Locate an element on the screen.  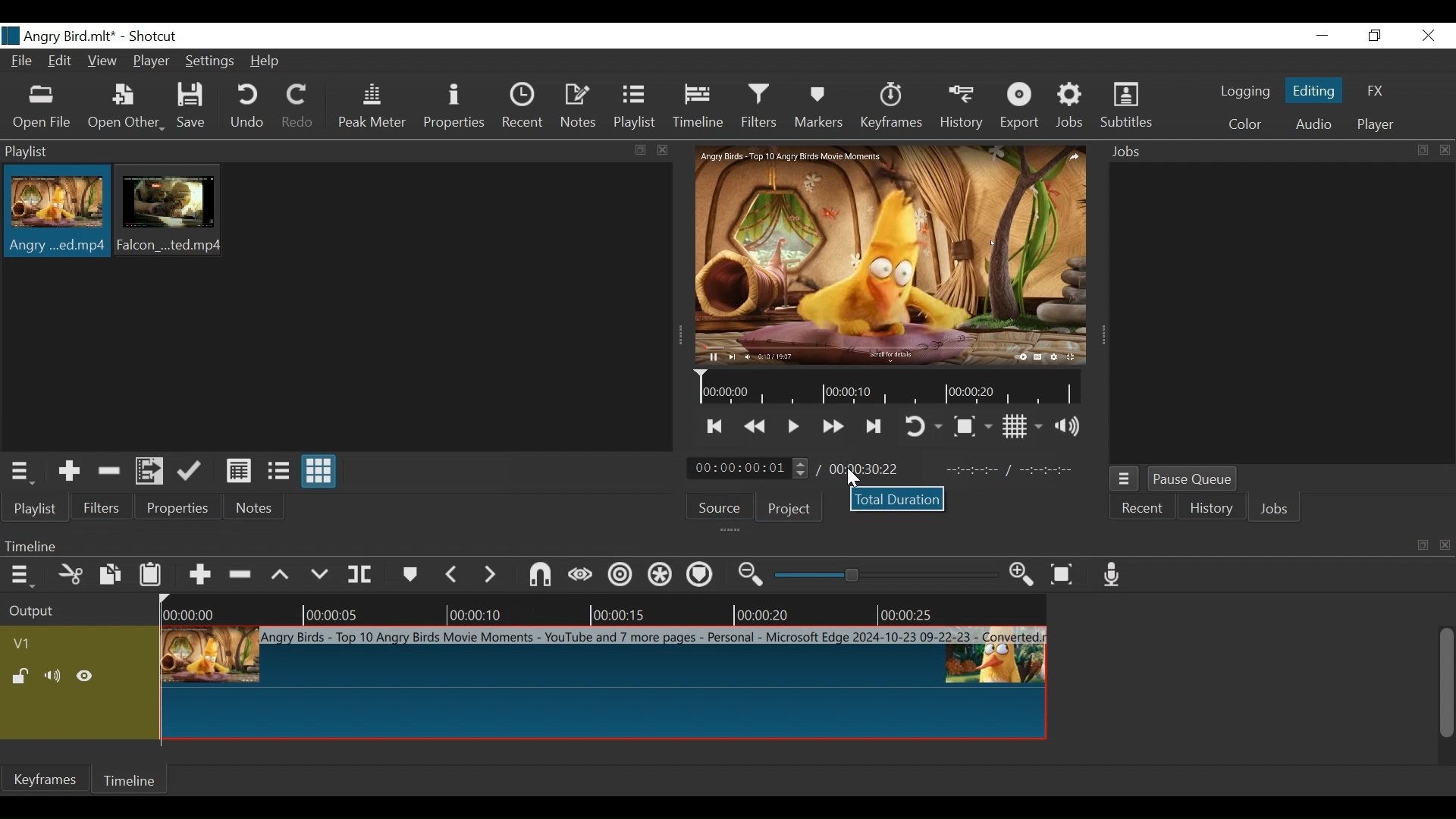
Cut is located at coordinates (71, 574).